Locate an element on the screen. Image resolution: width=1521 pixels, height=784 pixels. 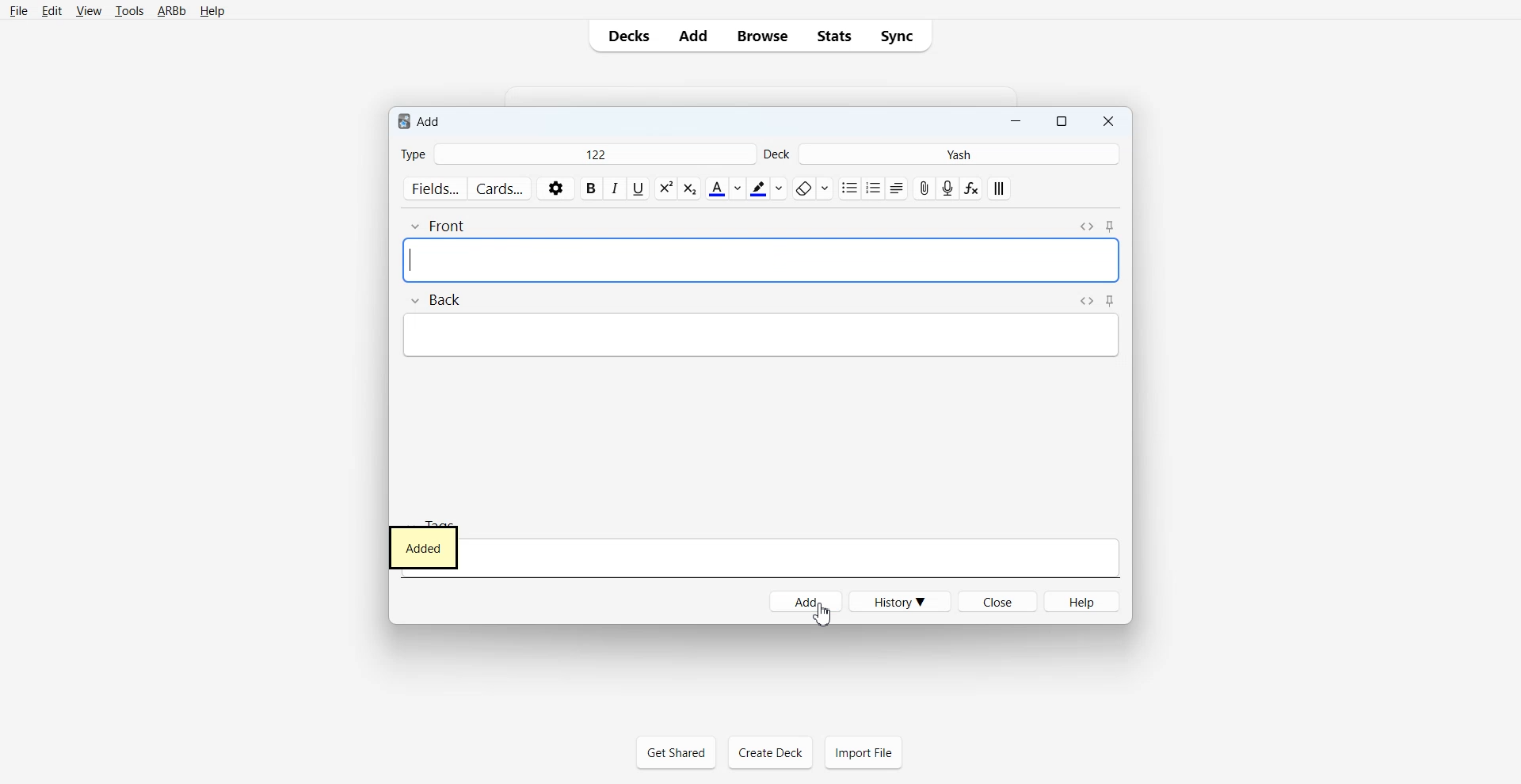
navigate is located at coordinates (1107, 299).